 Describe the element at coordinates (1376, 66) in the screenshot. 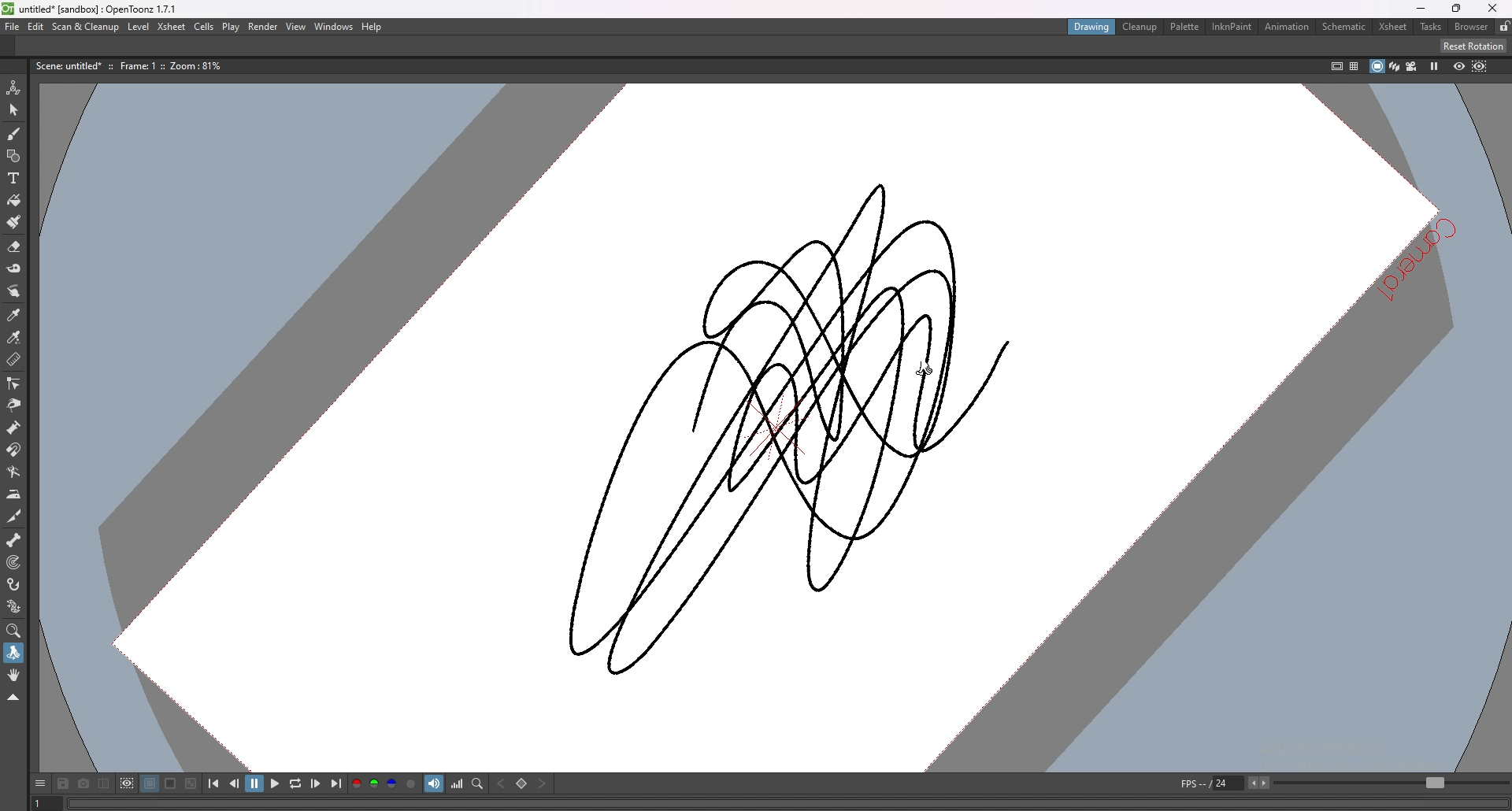

I see `camera stand view` at that location.